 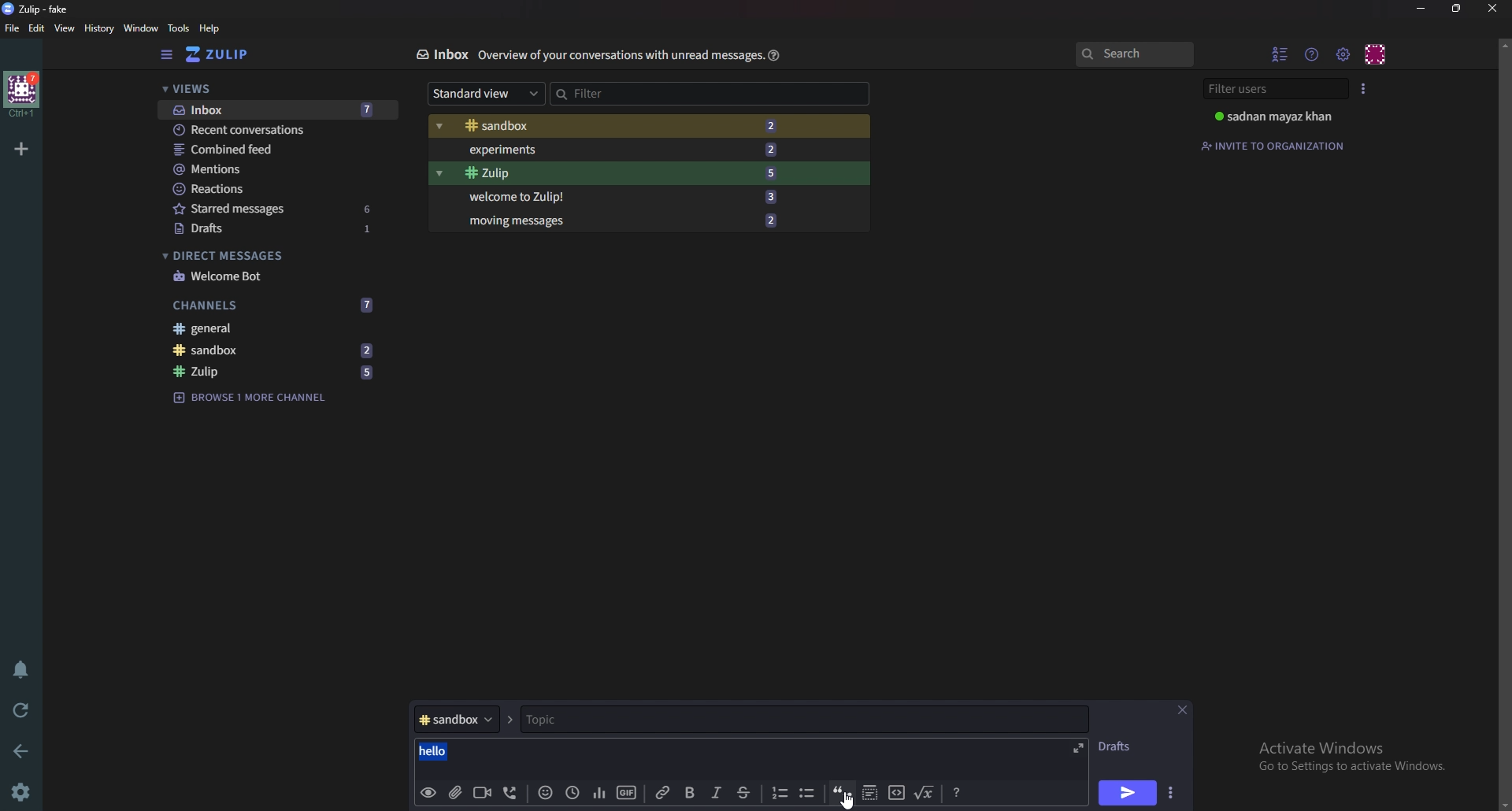 What do you see at coordinates (368, 371) in the screenshot?
I see `5` at bounding box center [368, 371].